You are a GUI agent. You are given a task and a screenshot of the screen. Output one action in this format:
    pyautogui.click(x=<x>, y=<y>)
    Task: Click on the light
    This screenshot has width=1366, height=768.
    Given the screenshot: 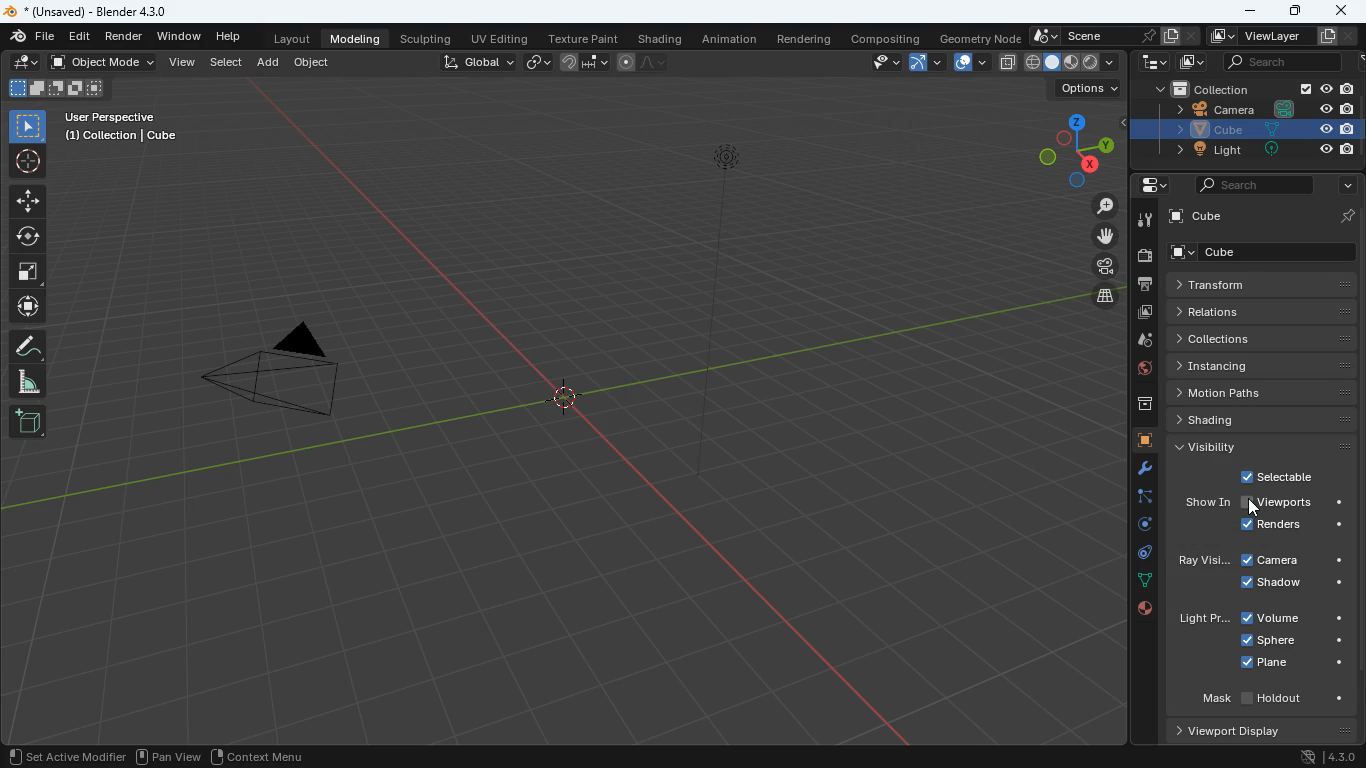 What is the action you would take?
    pyautogui.click(x=1246, y=151)
    